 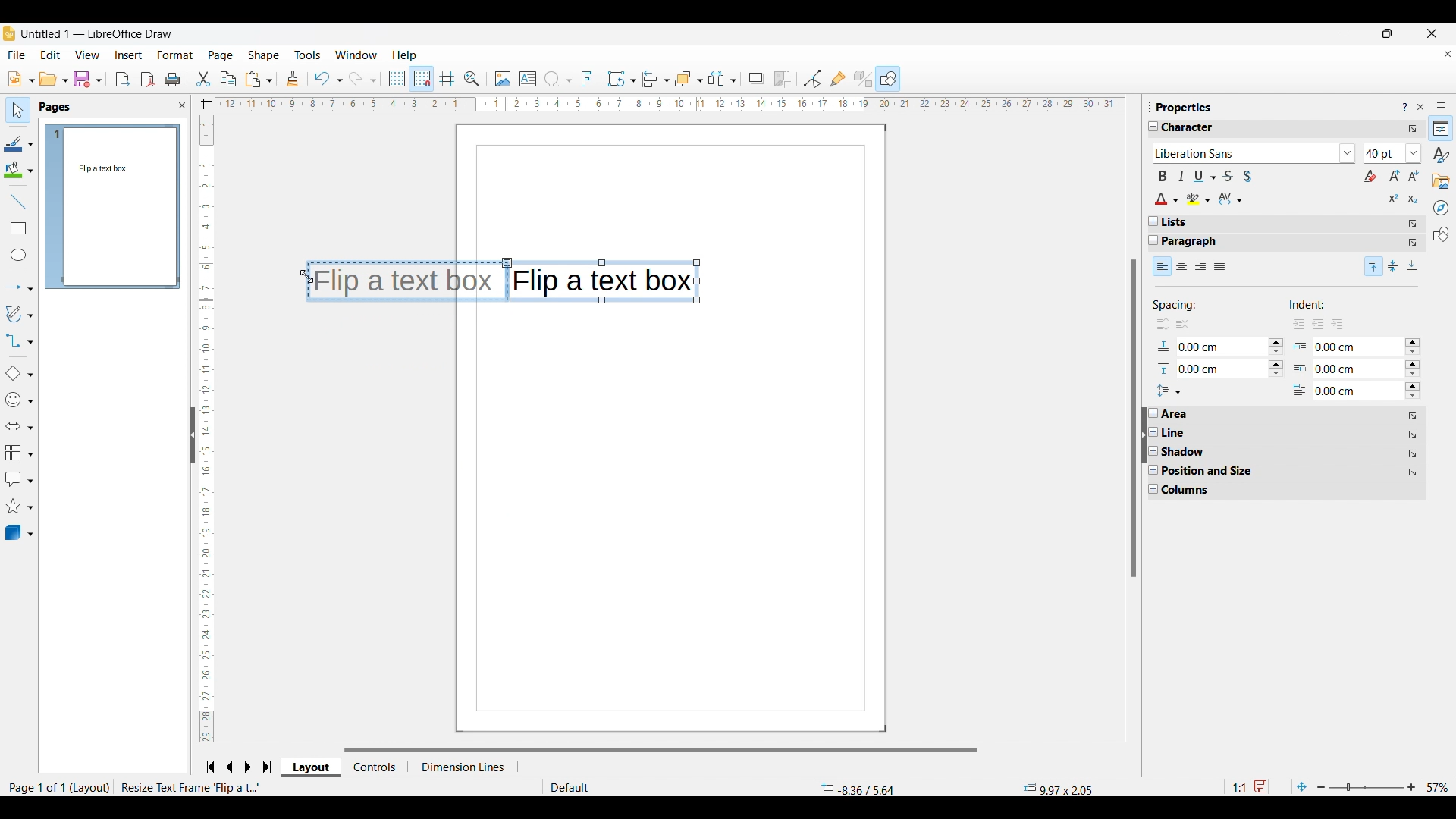 What do you see at coordinates (203, 430) in the screenshot?
I see `Vertical slide bar` at bounding box center [203, 430].